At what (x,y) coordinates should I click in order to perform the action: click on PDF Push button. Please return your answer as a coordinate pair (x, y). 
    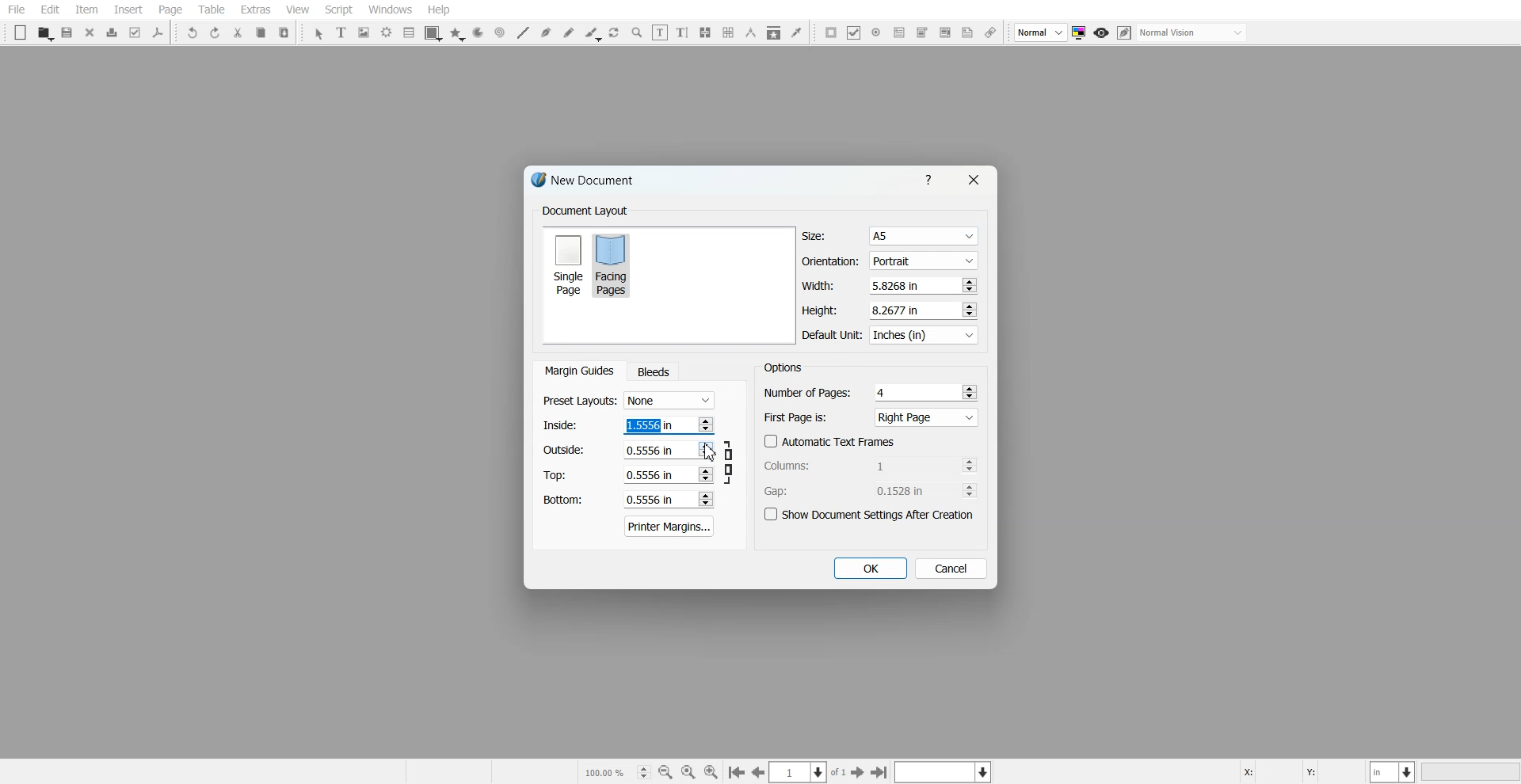
    Looking at the image, I should click on (831, 32).